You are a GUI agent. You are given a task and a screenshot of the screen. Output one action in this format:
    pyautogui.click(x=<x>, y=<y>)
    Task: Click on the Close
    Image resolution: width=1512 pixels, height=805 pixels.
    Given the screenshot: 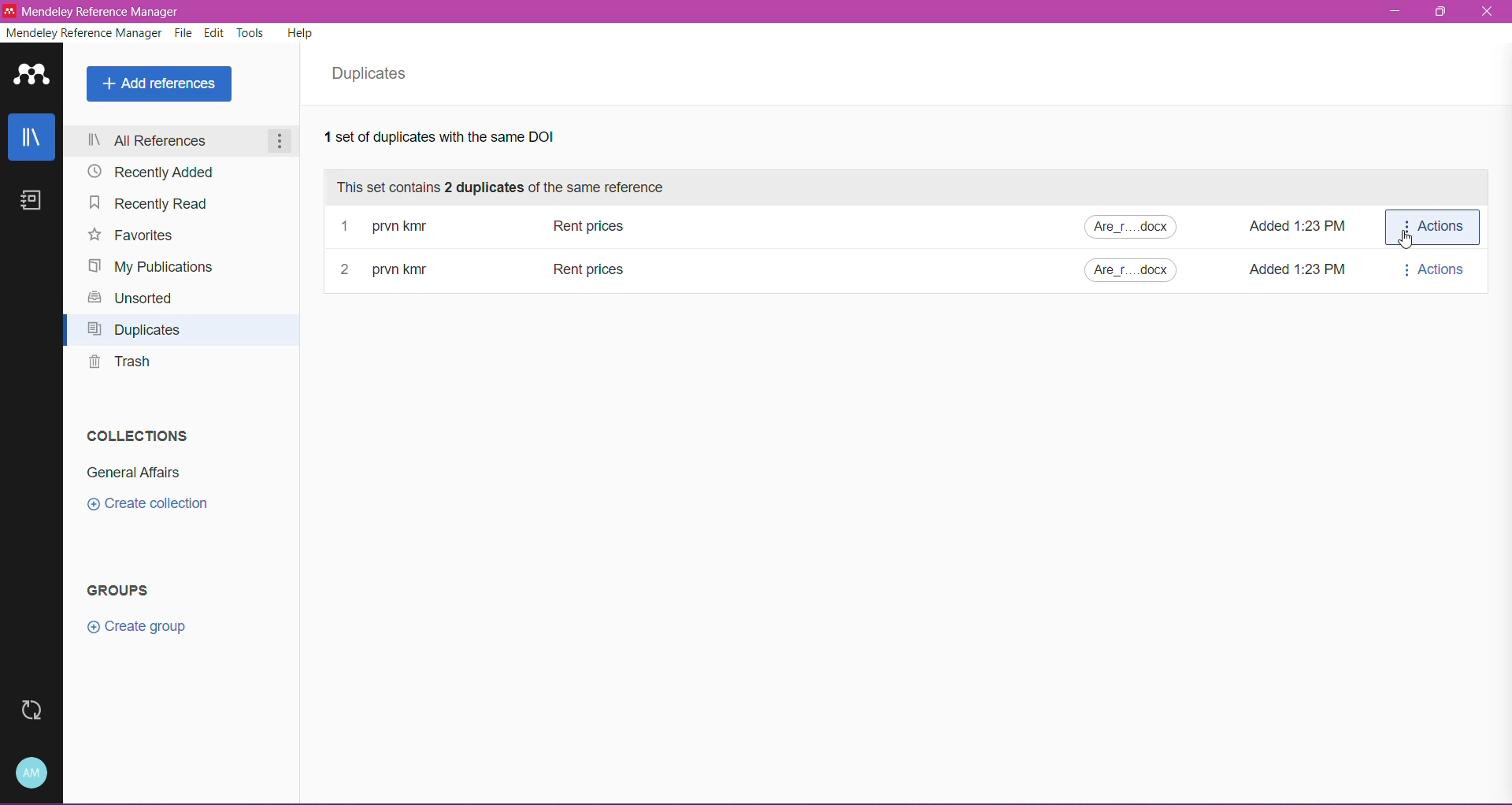 What is the action you would take?
    pyautogui.click(x=1489, y=13)
    